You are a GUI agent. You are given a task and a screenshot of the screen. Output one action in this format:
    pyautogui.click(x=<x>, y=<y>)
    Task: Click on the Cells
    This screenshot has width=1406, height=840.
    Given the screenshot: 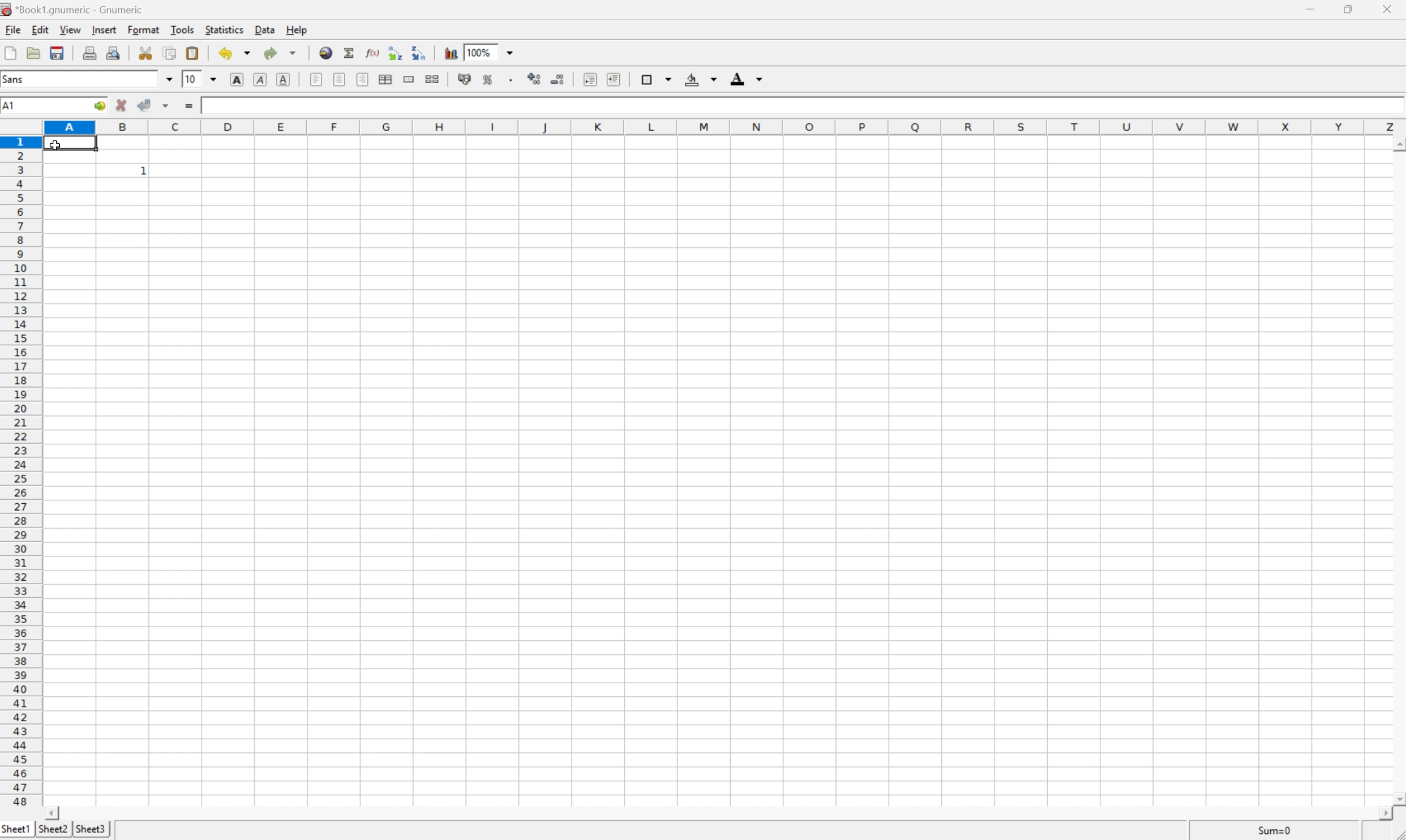 What is the action you would take?
    pyautogui.click(x=721, y=492)
    